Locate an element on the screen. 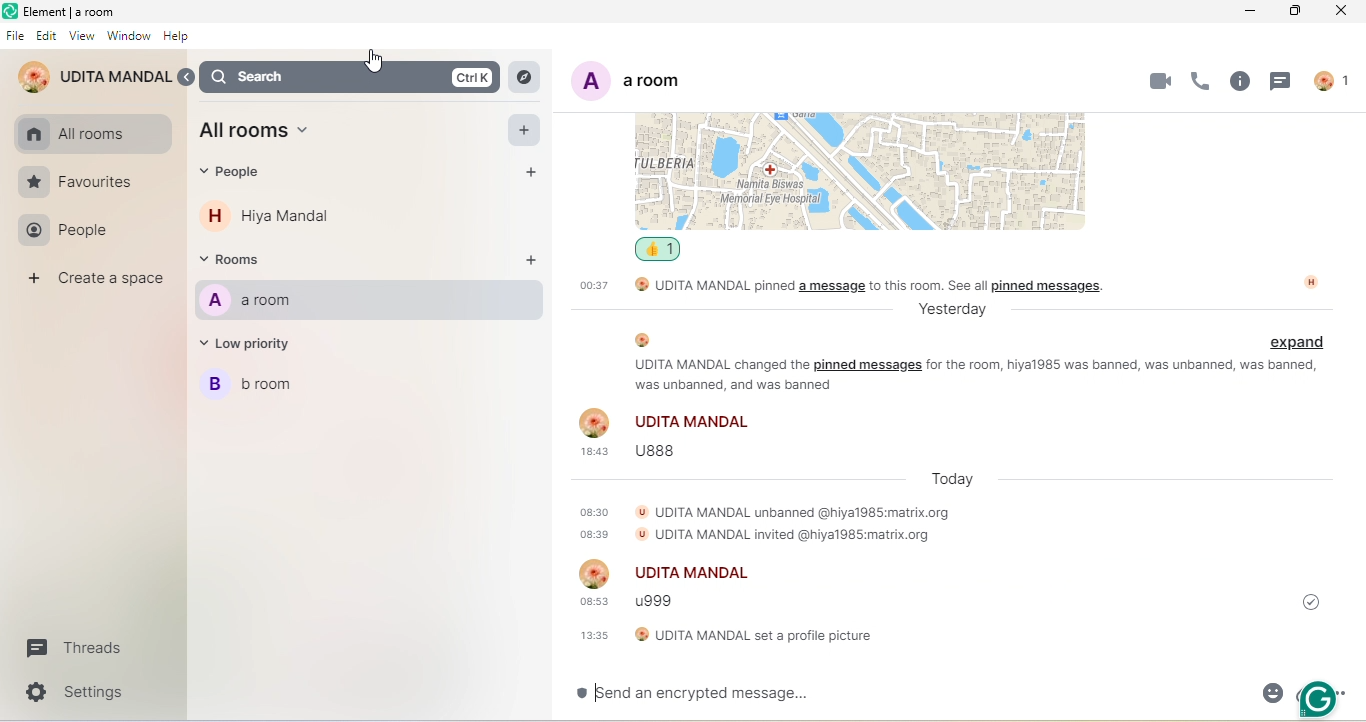  > Edit is located at coordinates (47, 35).